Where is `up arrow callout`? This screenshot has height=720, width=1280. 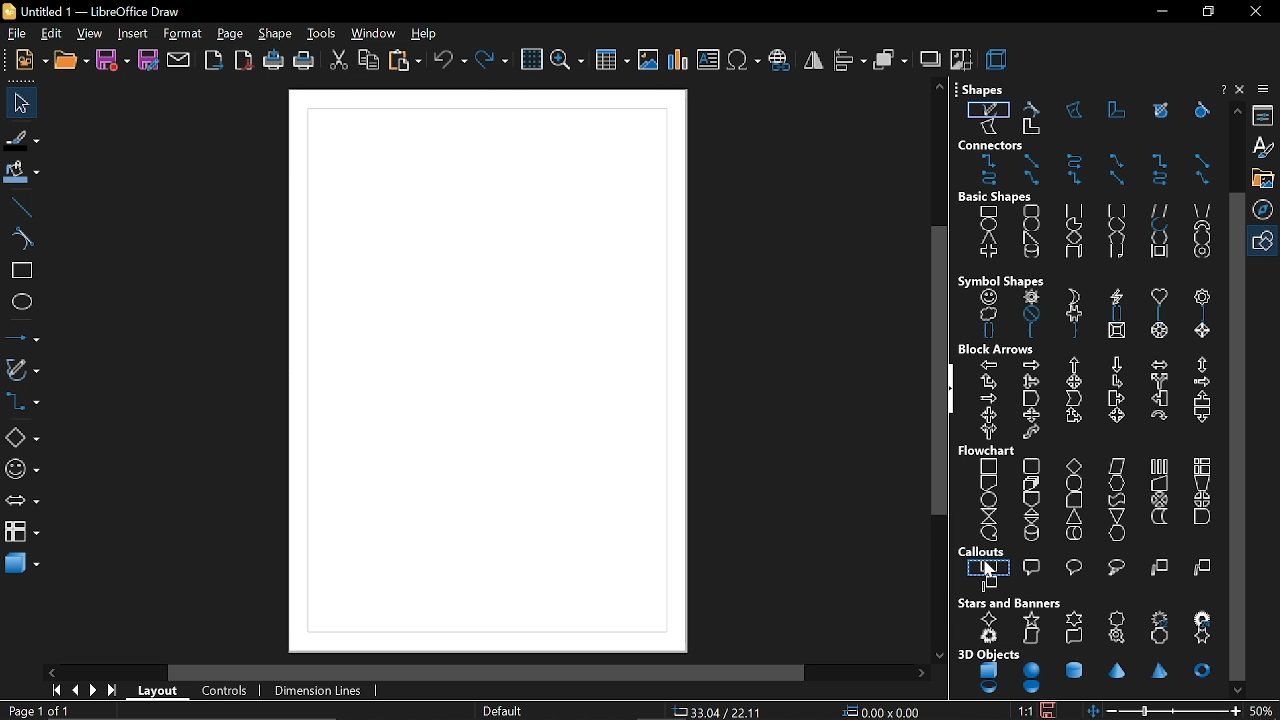 up arrow callout is located at coordinates (1199, 399).